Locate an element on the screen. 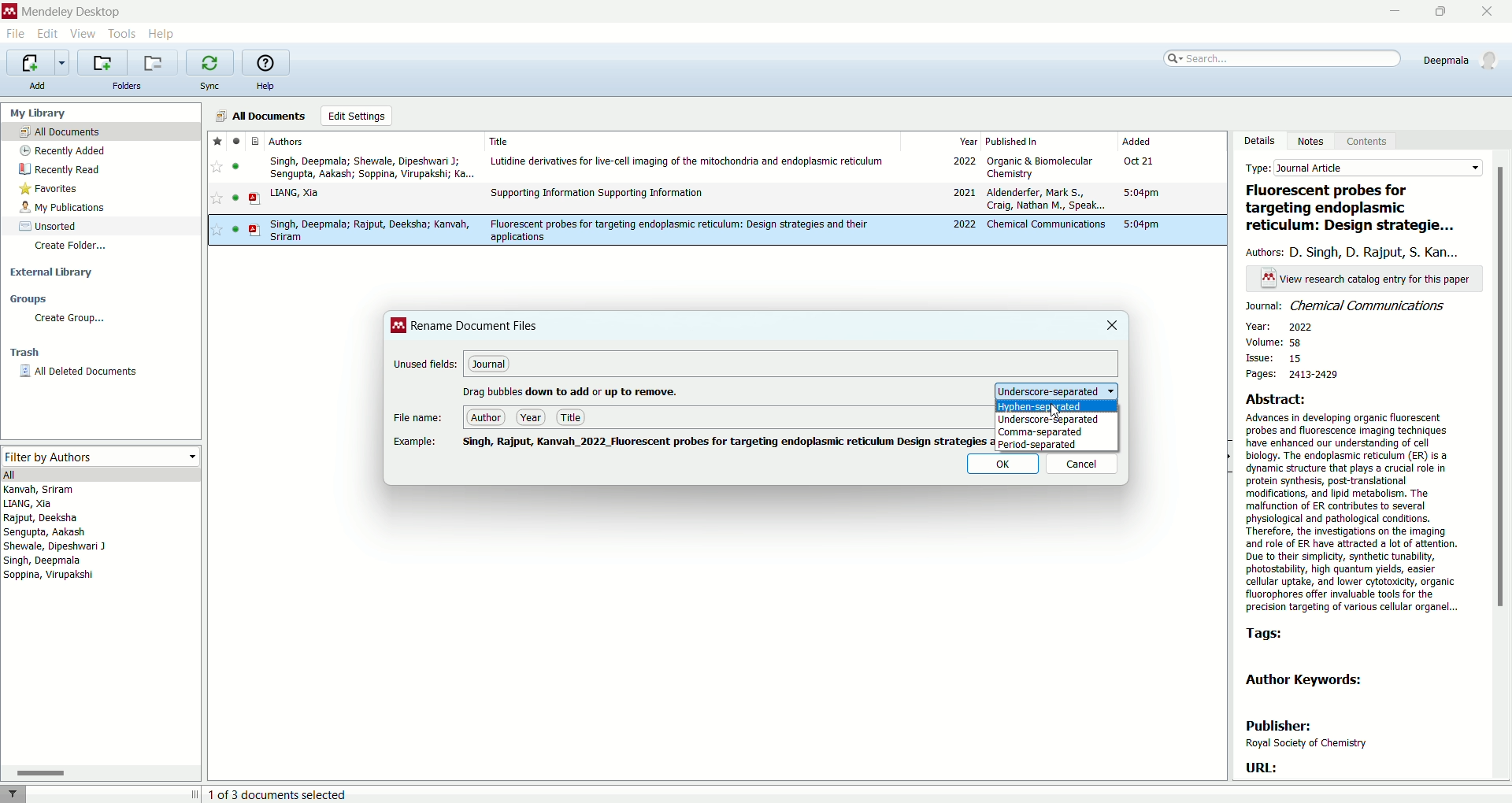 Image resolution: width=1512 pixels, height=803 pixels. recently read is located at coordinates (59, 169).